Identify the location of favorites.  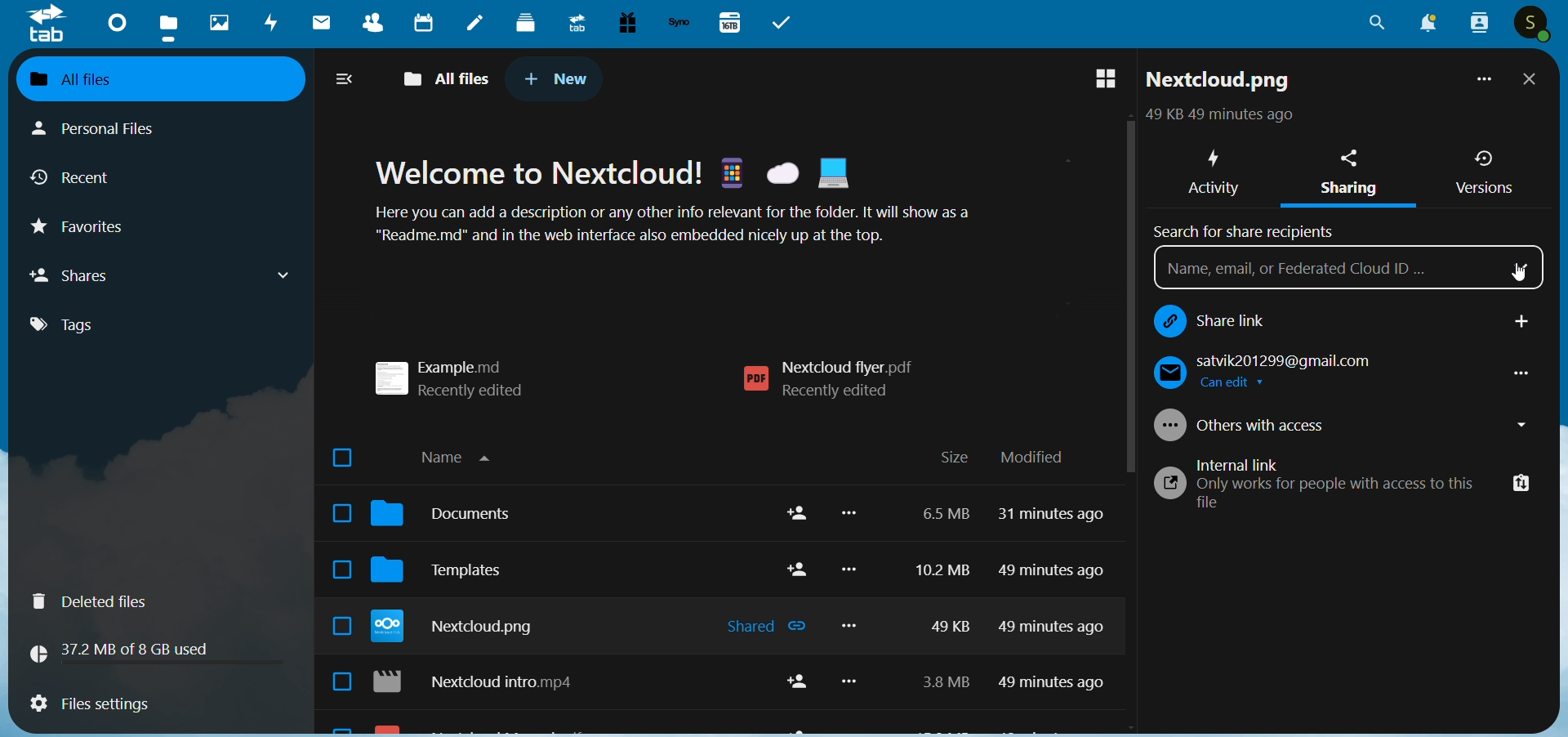
(92, 231).